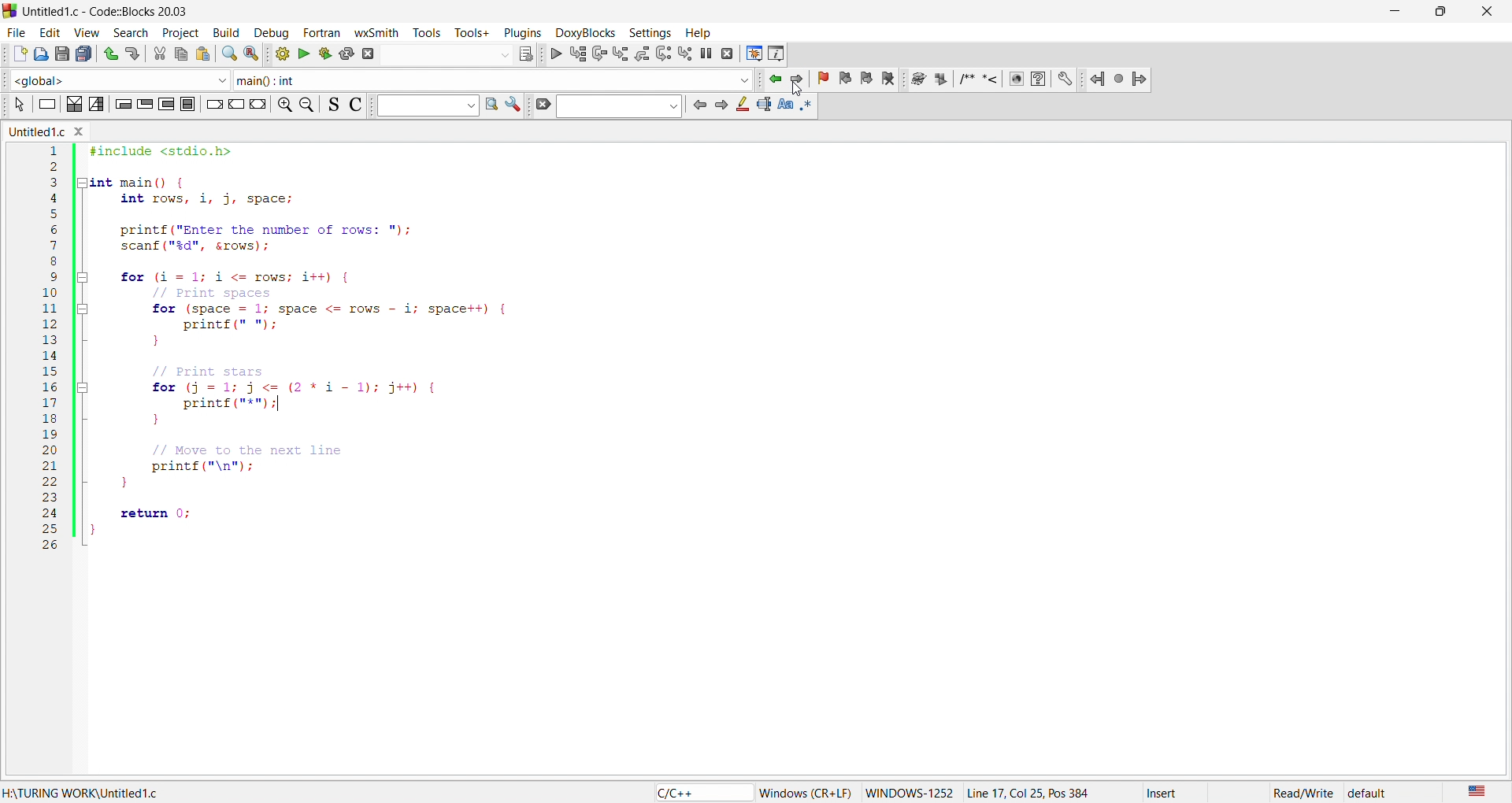 Image resolution: width=1512 pixels, height=803 pixels. I want to click on build and run, so click(323, 54).